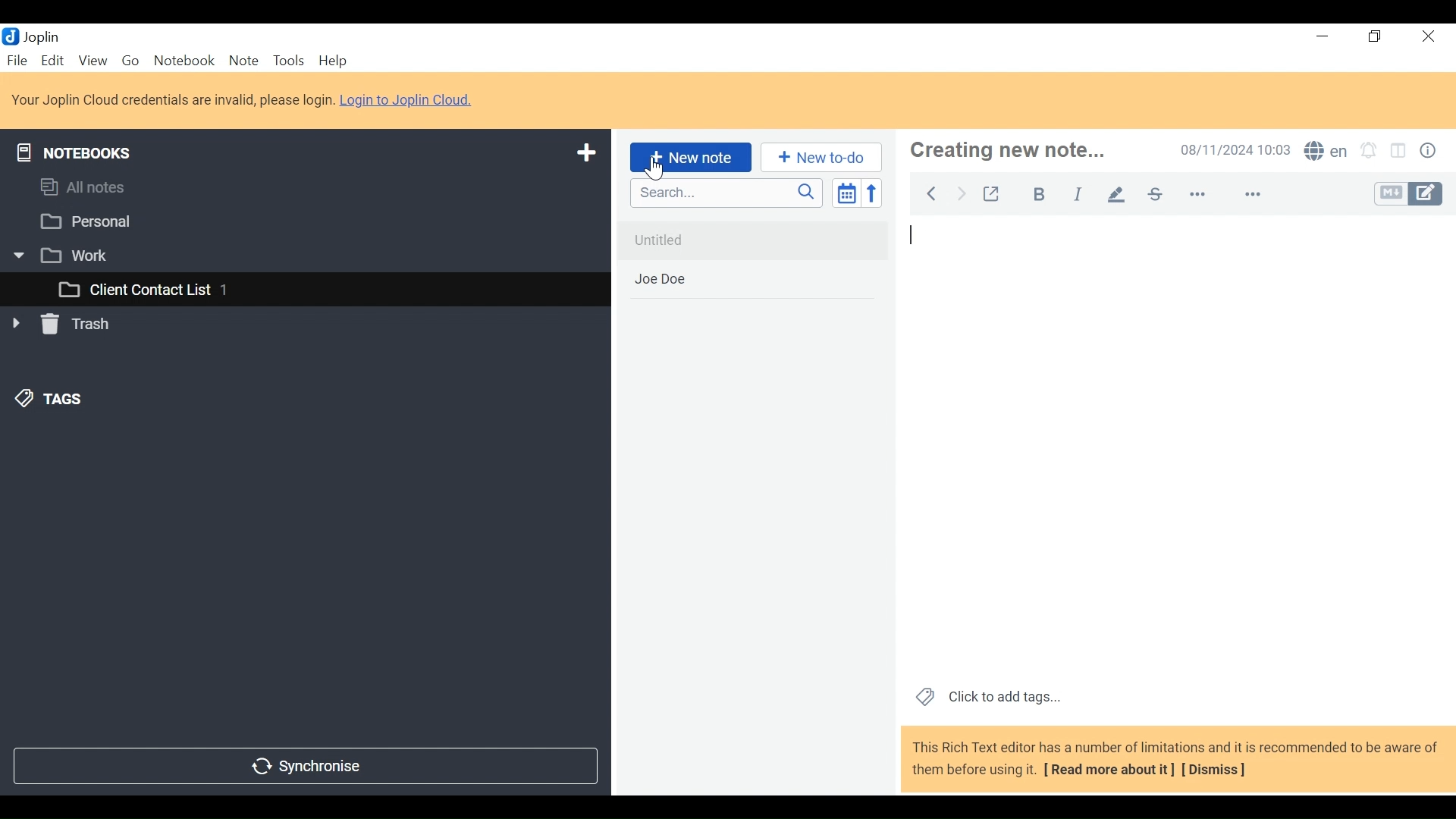 Image resolution: width=1456 pixels, height=819 pixels. Describe the element at coordinates (304, 190) in the screenshot. I see `All Notes` at that location.